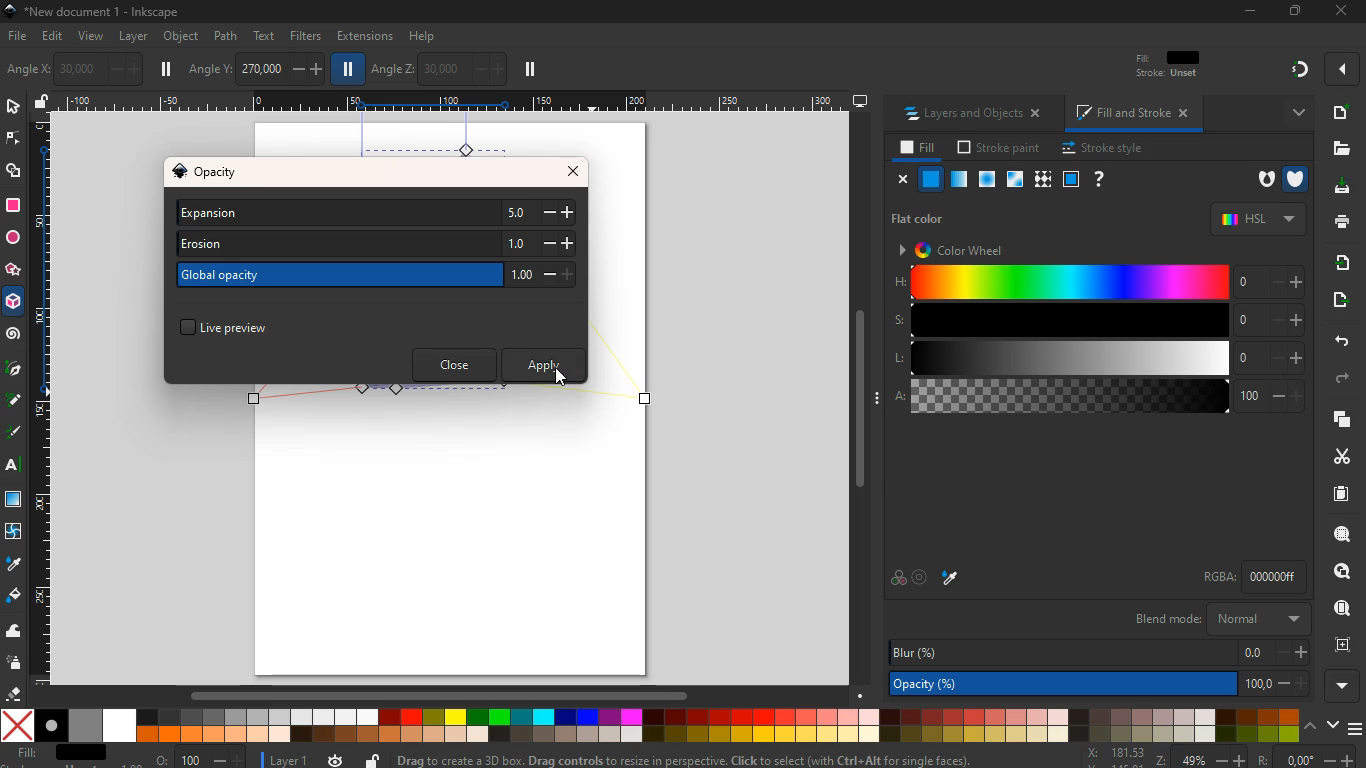 Image resolution: width=1366 pixels, height=768 pixels. What do you see at coordinates (255, 67) in the screenshot?
I see `angle y` at bounding box center [255, 67].